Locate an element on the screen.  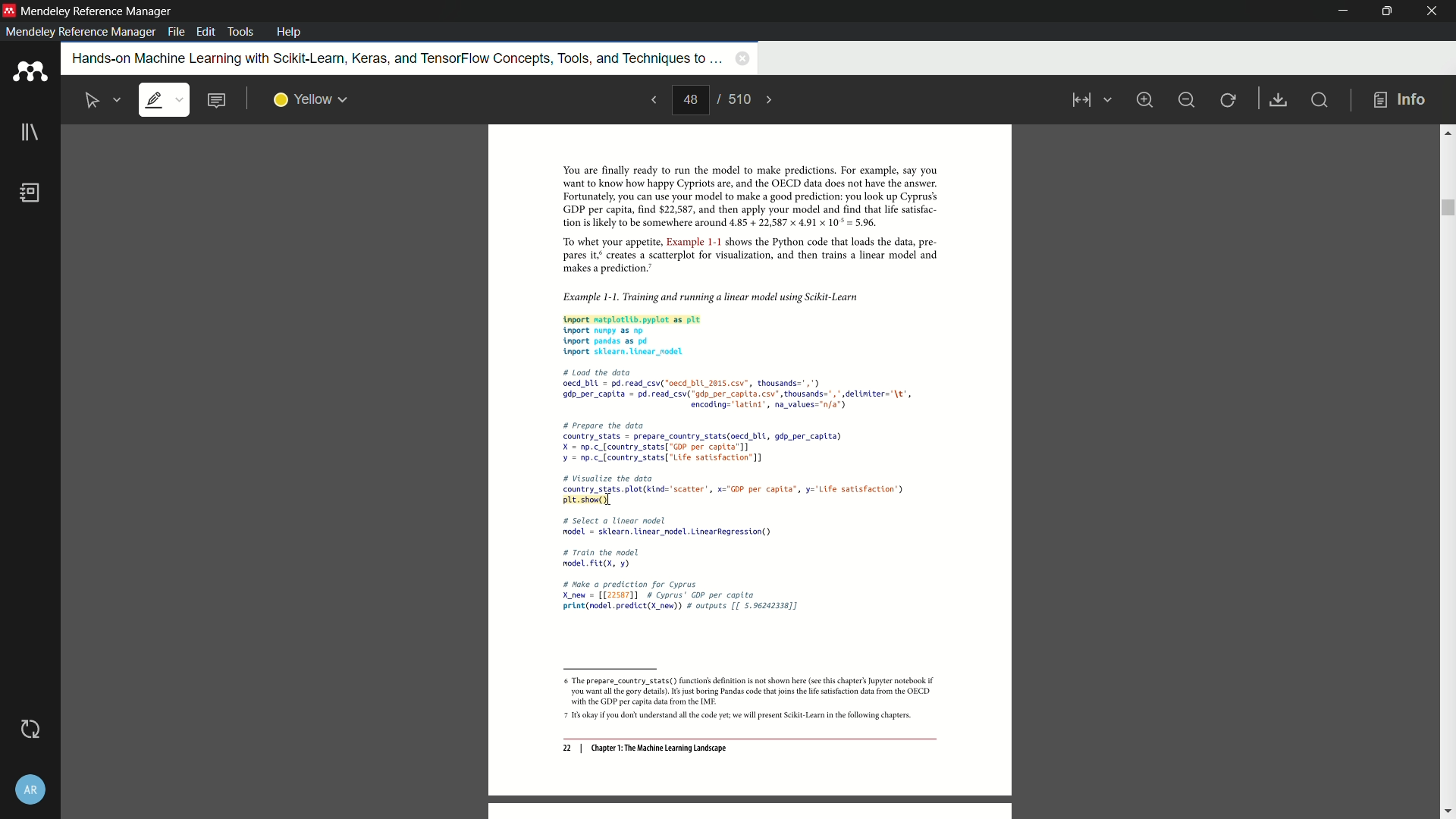
close is located at coordinates (1433, 11).